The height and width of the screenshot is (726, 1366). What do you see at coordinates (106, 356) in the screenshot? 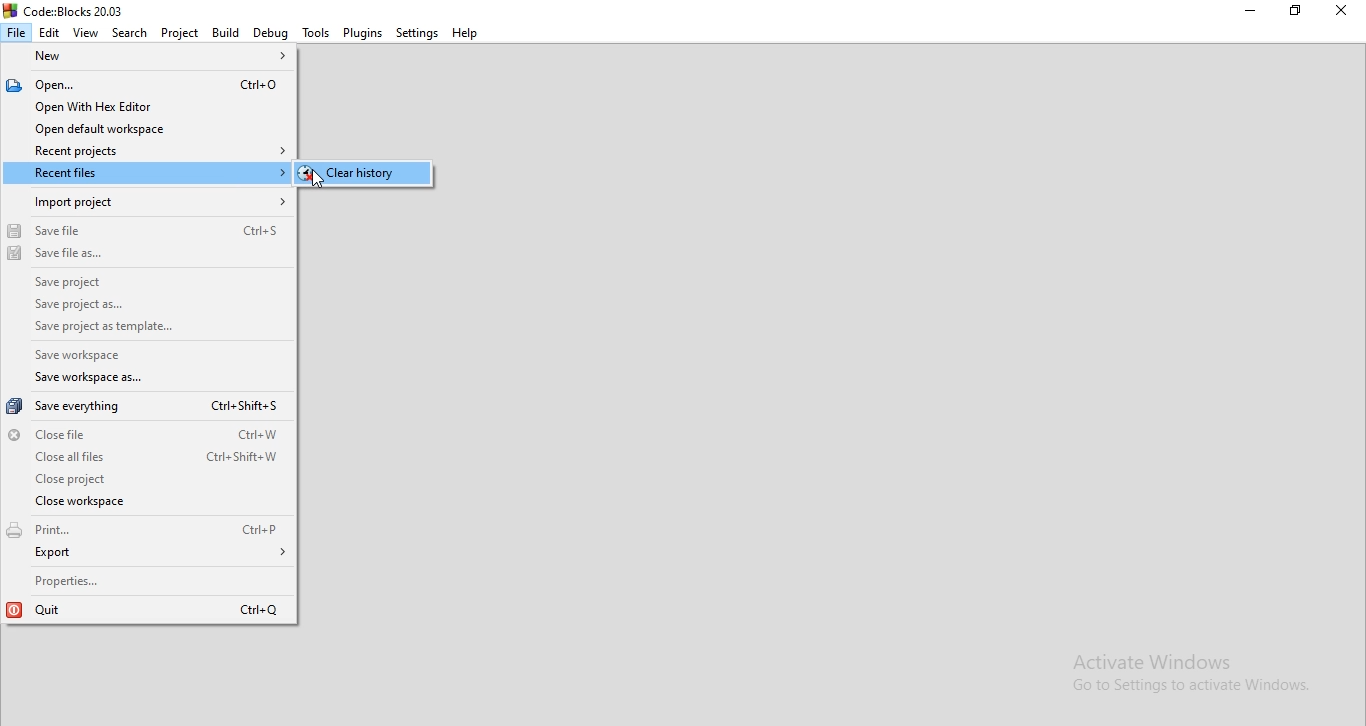
I see `Save Workspace` at bounding box center [106, 356].